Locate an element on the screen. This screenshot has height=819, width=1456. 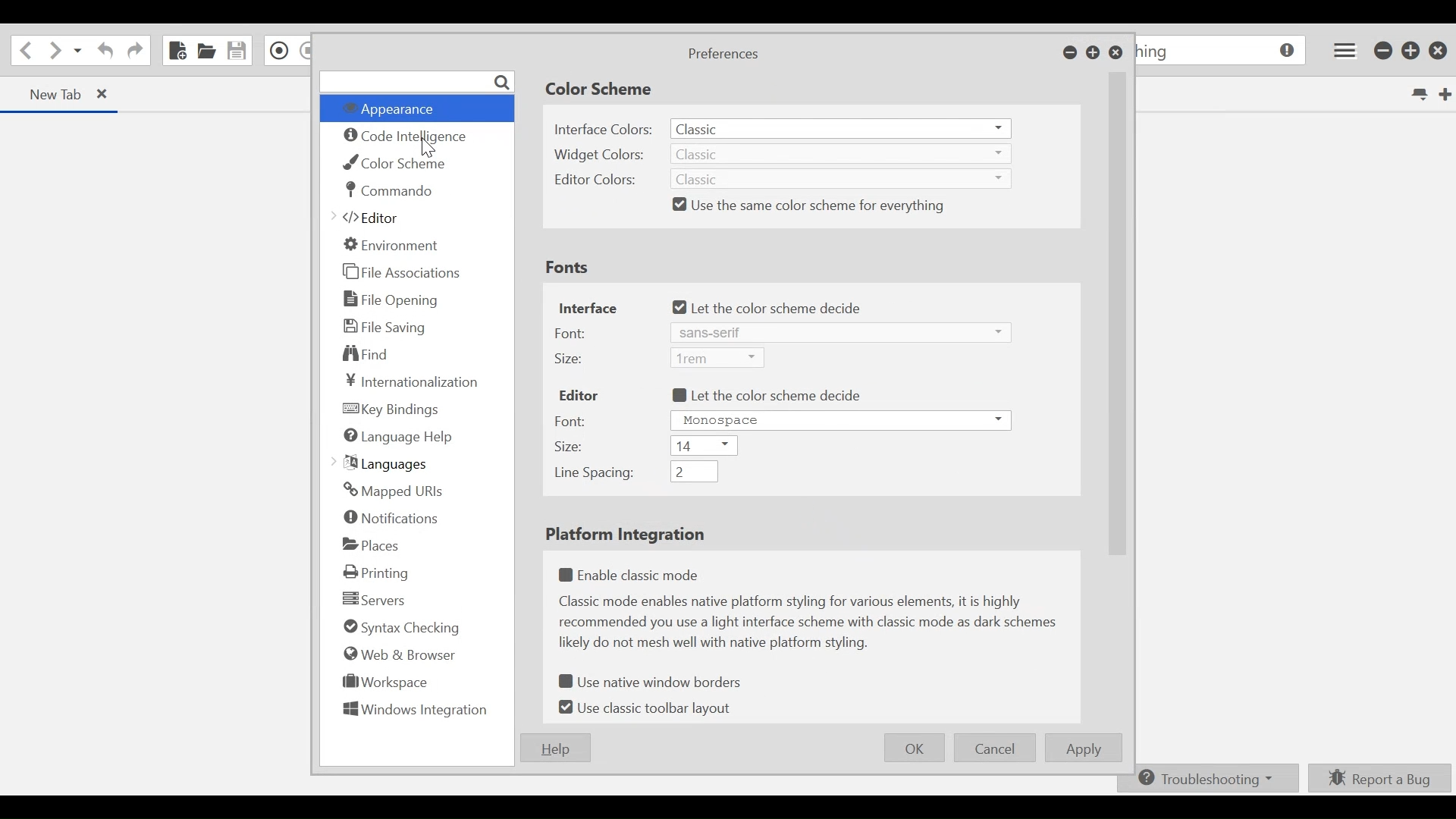
Vertical Scroll bar is located at coordinates (1119, 312).